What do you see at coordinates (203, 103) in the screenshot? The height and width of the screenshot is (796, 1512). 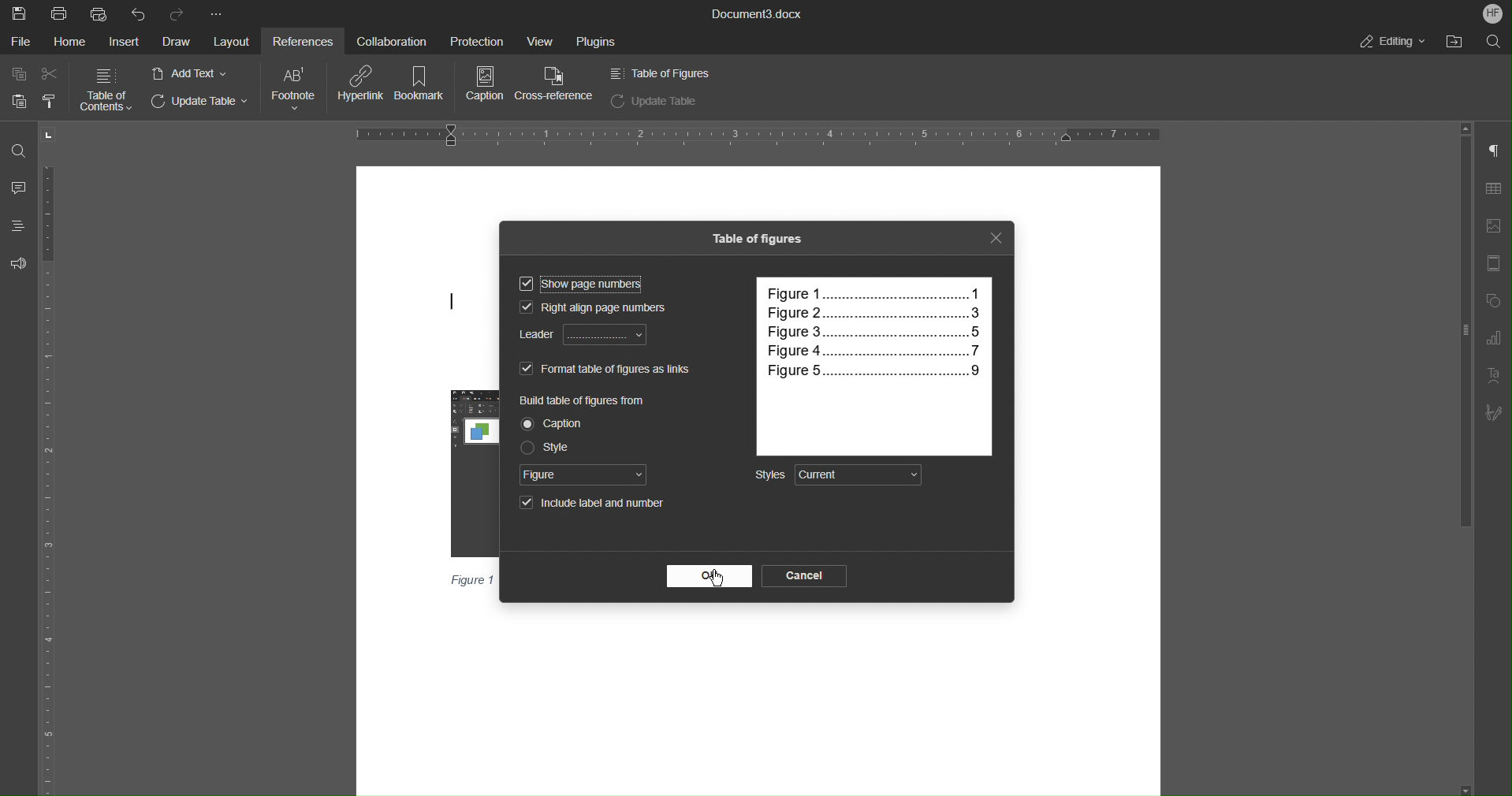 I see `Update Table` at bounding box center [203, 103].